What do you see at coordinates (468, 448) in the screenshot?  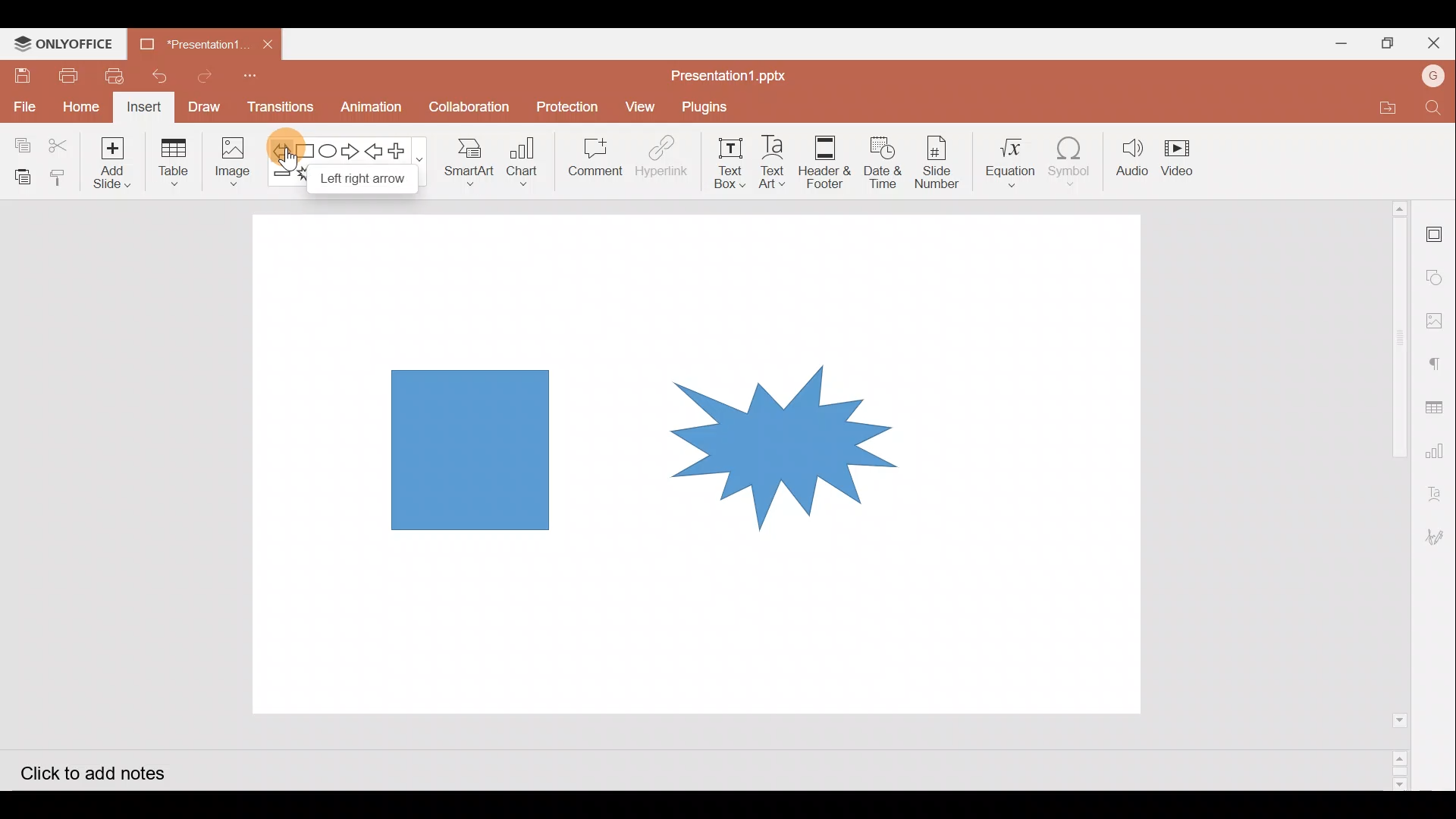 I see `Rectangle shape` at bounding box center [468, 448].